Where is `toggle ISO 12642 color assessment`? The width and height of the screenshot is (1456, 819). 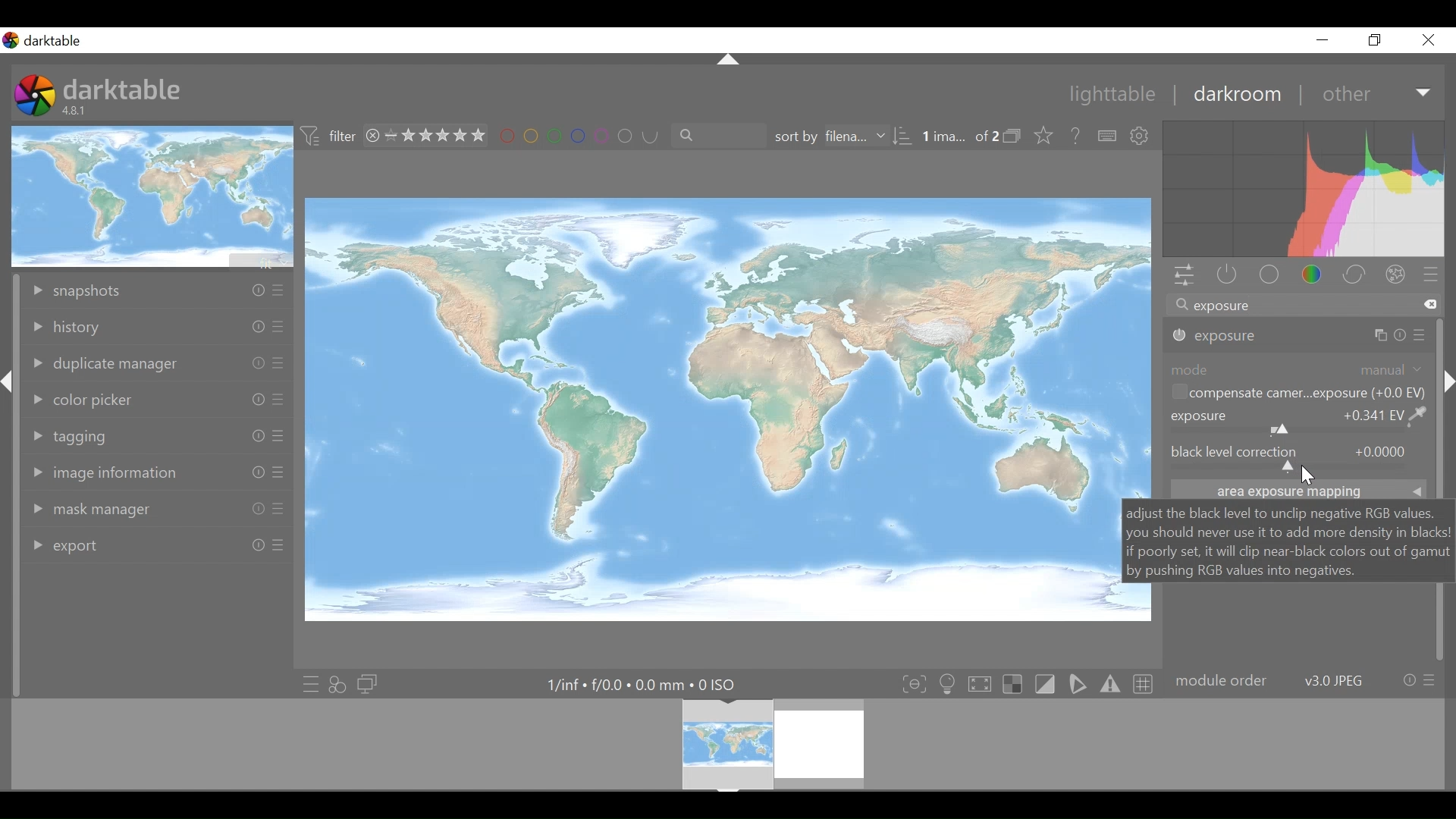
toggle ISO 12642 color assessment is located at coordinates (948, 684).